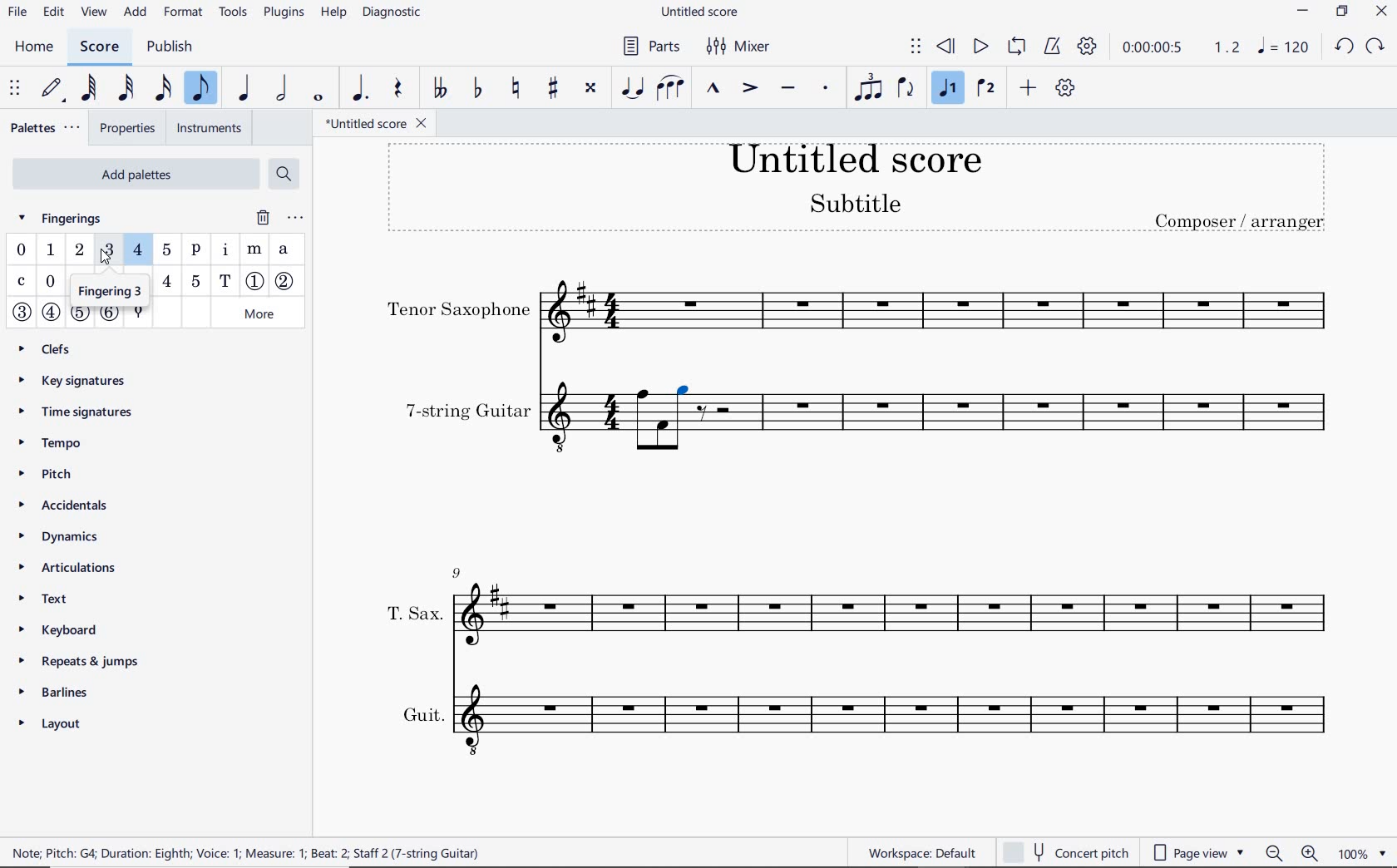 The image size is (1397, 868). Describe the element at coordinates (985, 89) in the screenshot. I see `VOICE 2` at that location.